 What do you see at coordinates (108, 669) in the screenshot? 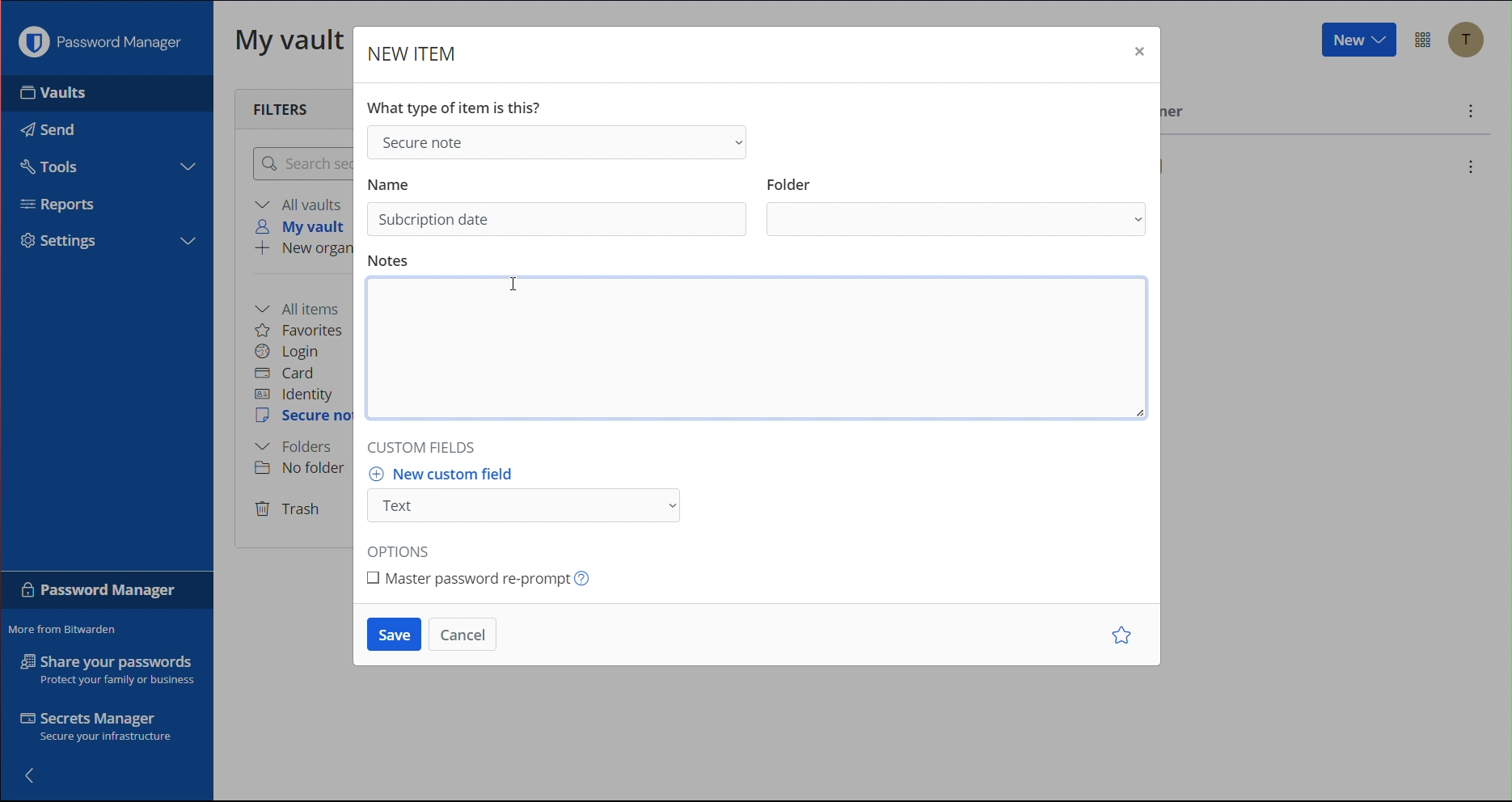
I see `Share your passwords` at bounding box center [108, 669].